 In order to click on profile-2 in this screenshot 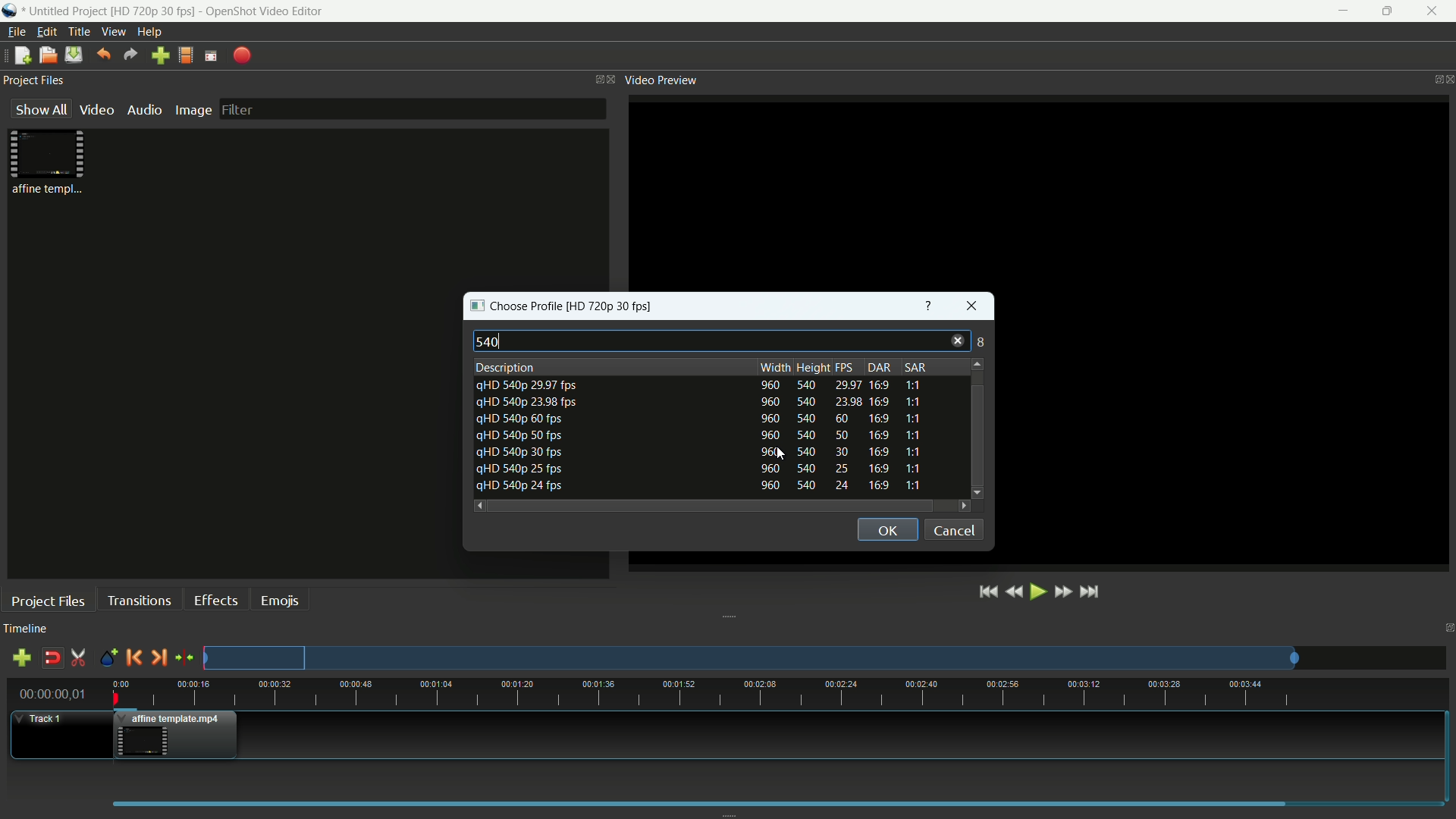, I will do `click(704, 402)`.